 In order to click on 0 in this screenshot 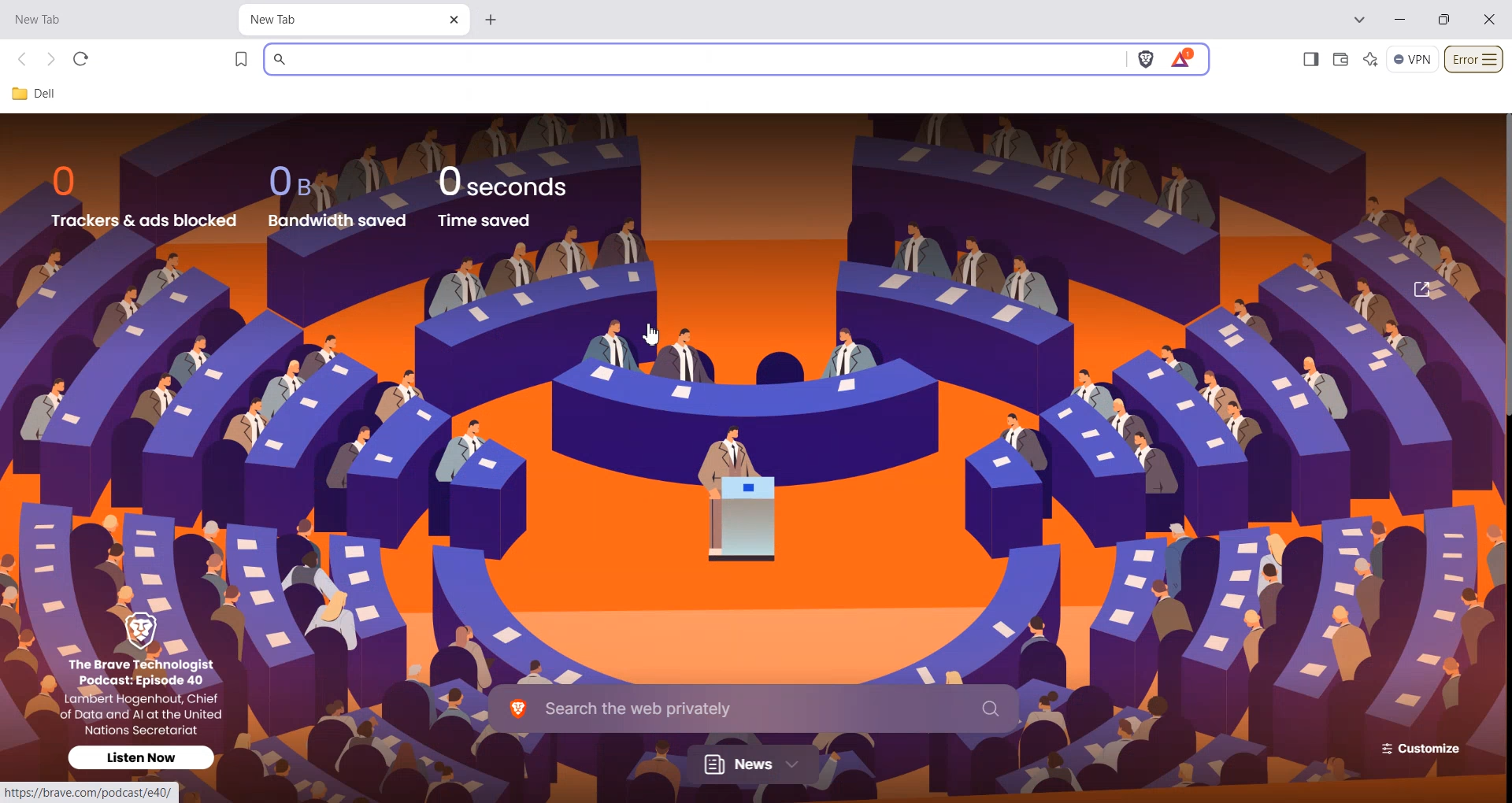, I will do `click(71, 180)`.